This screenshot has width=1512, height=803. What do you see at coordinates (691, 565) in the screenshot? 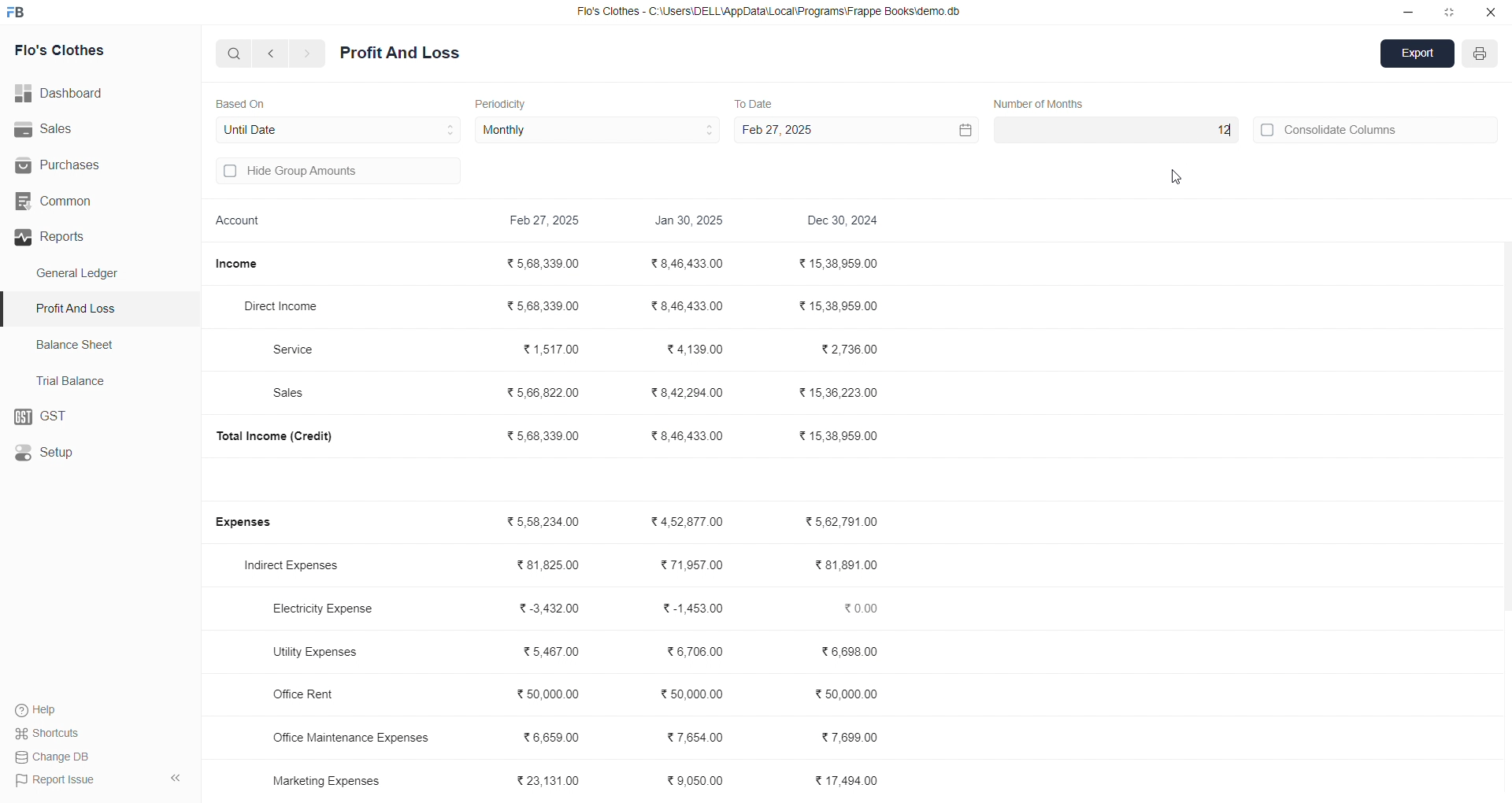
I see `₹ 71,957.00` at bounding box center [691, 565].